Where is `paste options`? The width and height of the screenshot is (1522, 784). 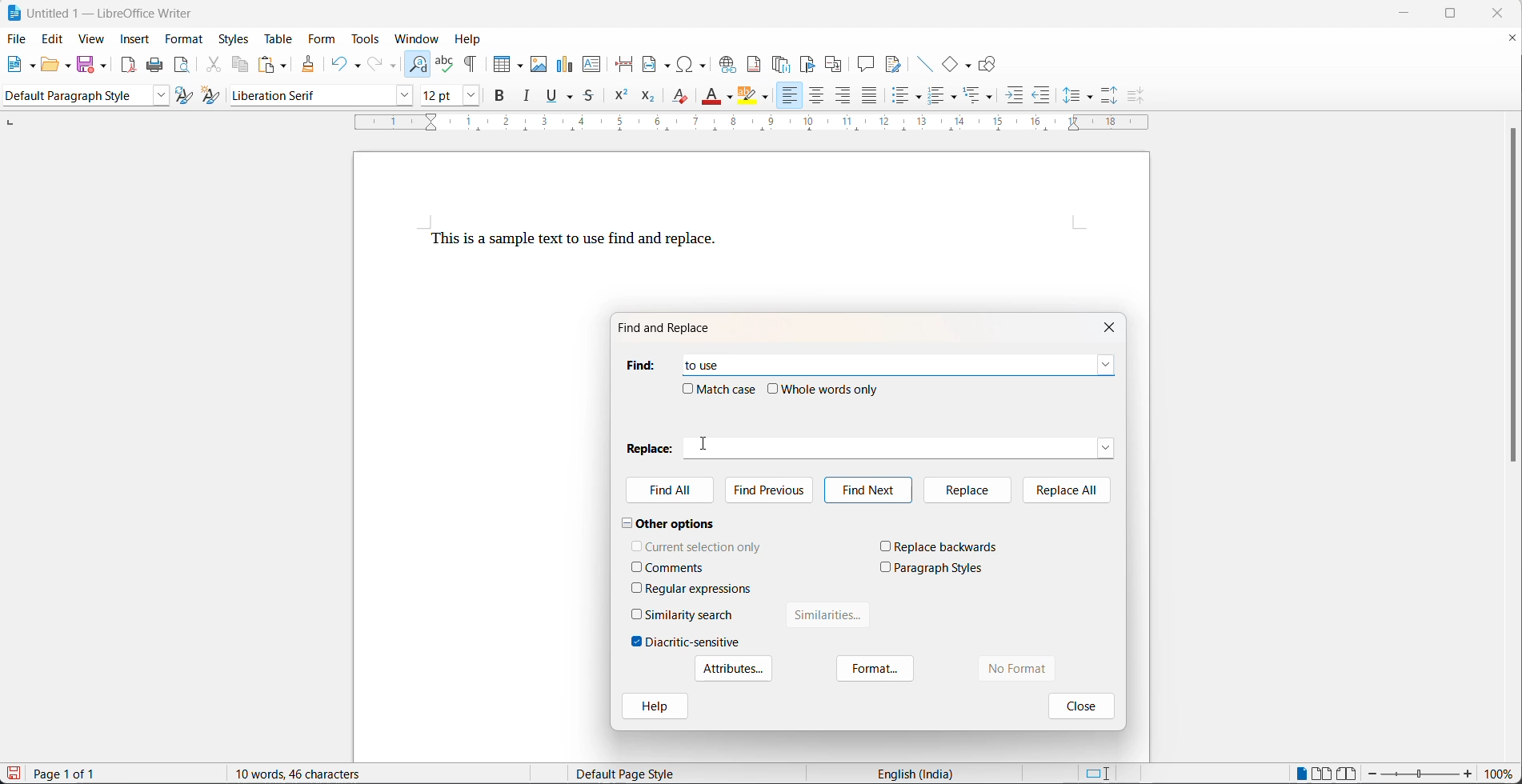
paste options is located at coordinates (285, 64).